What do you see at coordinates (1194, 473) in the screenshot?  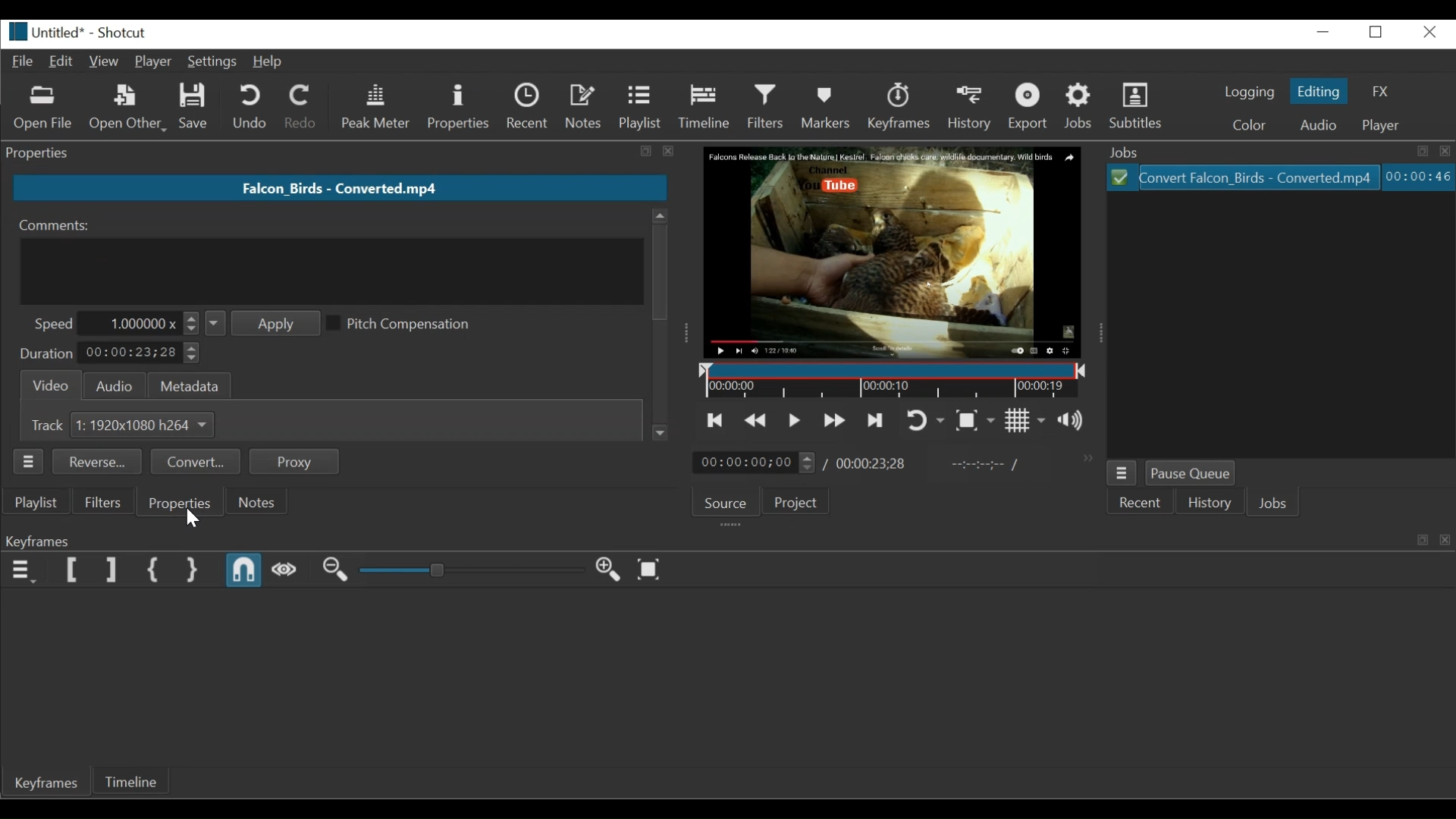 I see `Pause Queue` at bounding box center [1194, 473].